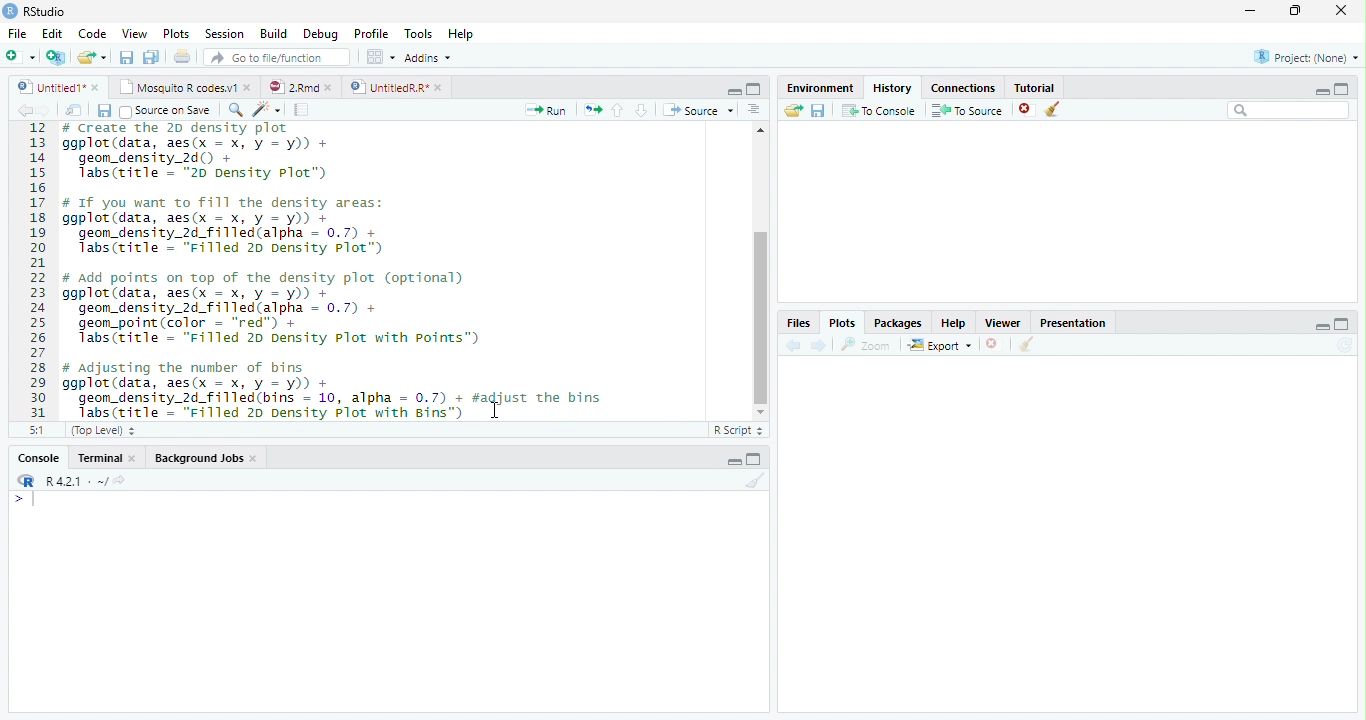  Describe the element at coordinates (1026, 110) in the screenshot. I see `close` at that location.